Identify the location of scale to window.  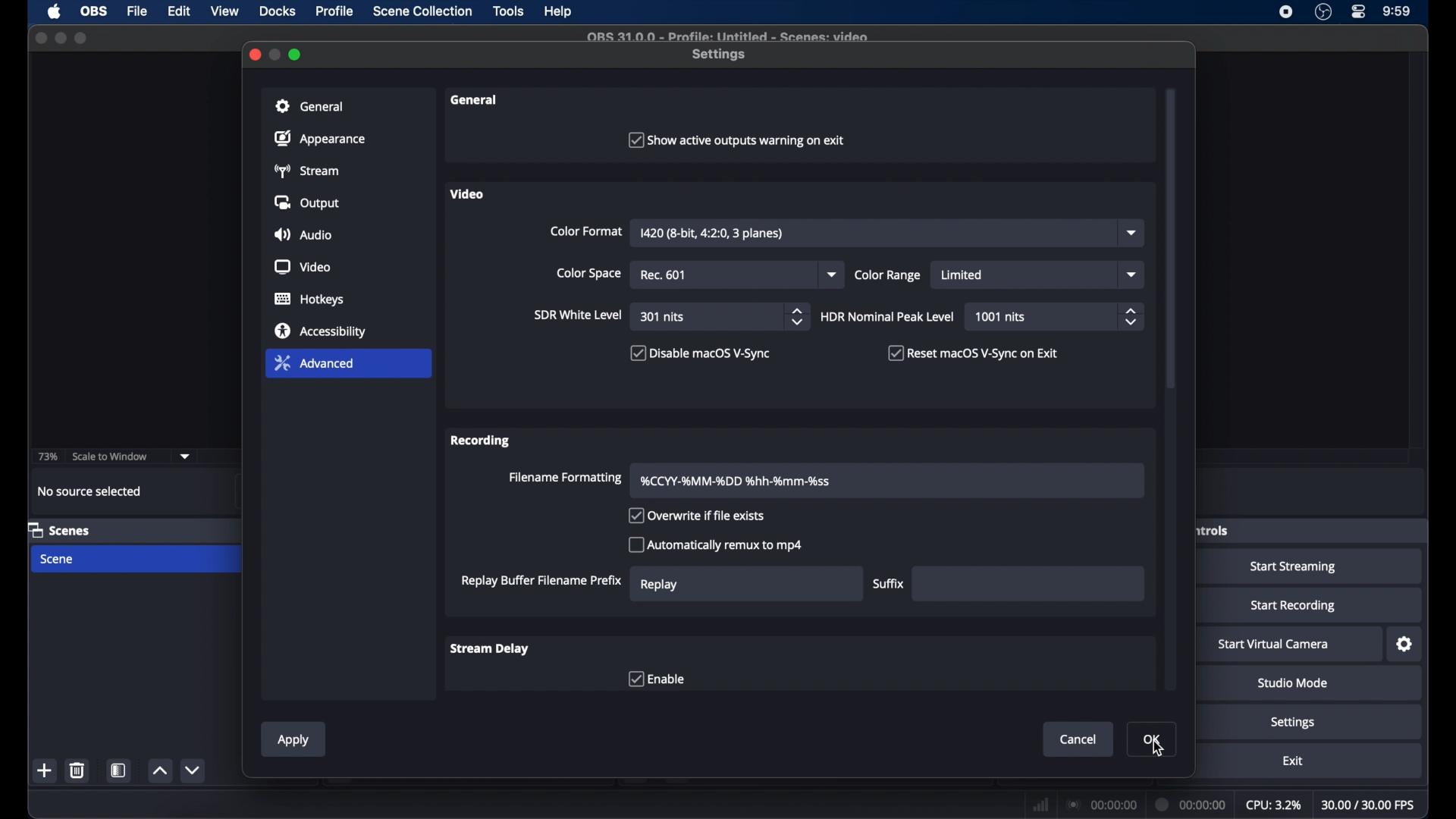
(111, 455).